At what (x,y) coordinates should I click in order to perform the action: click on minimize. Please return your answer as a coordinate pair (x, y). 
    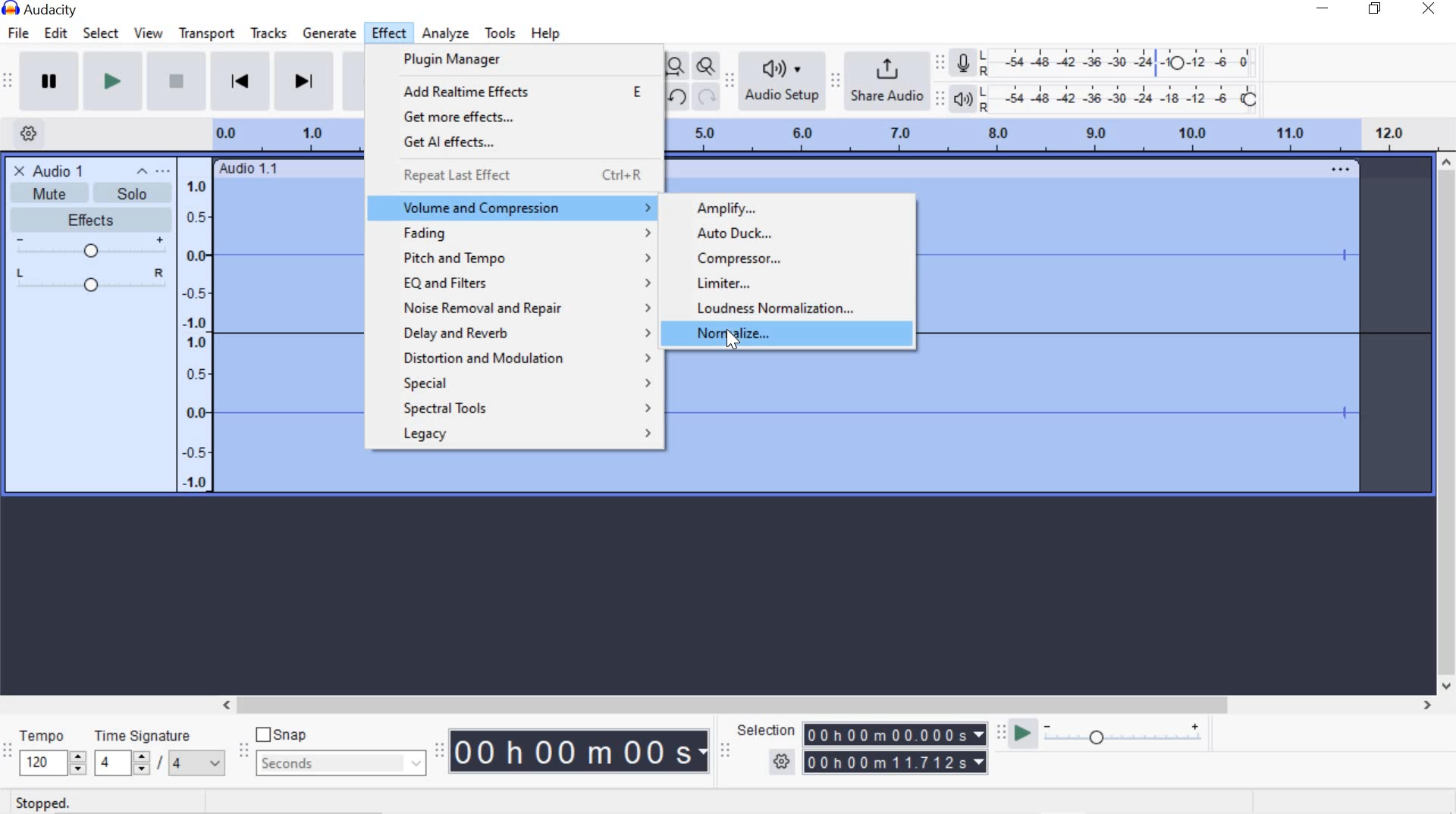
    Looking at the image, I should click on (1323, 11).